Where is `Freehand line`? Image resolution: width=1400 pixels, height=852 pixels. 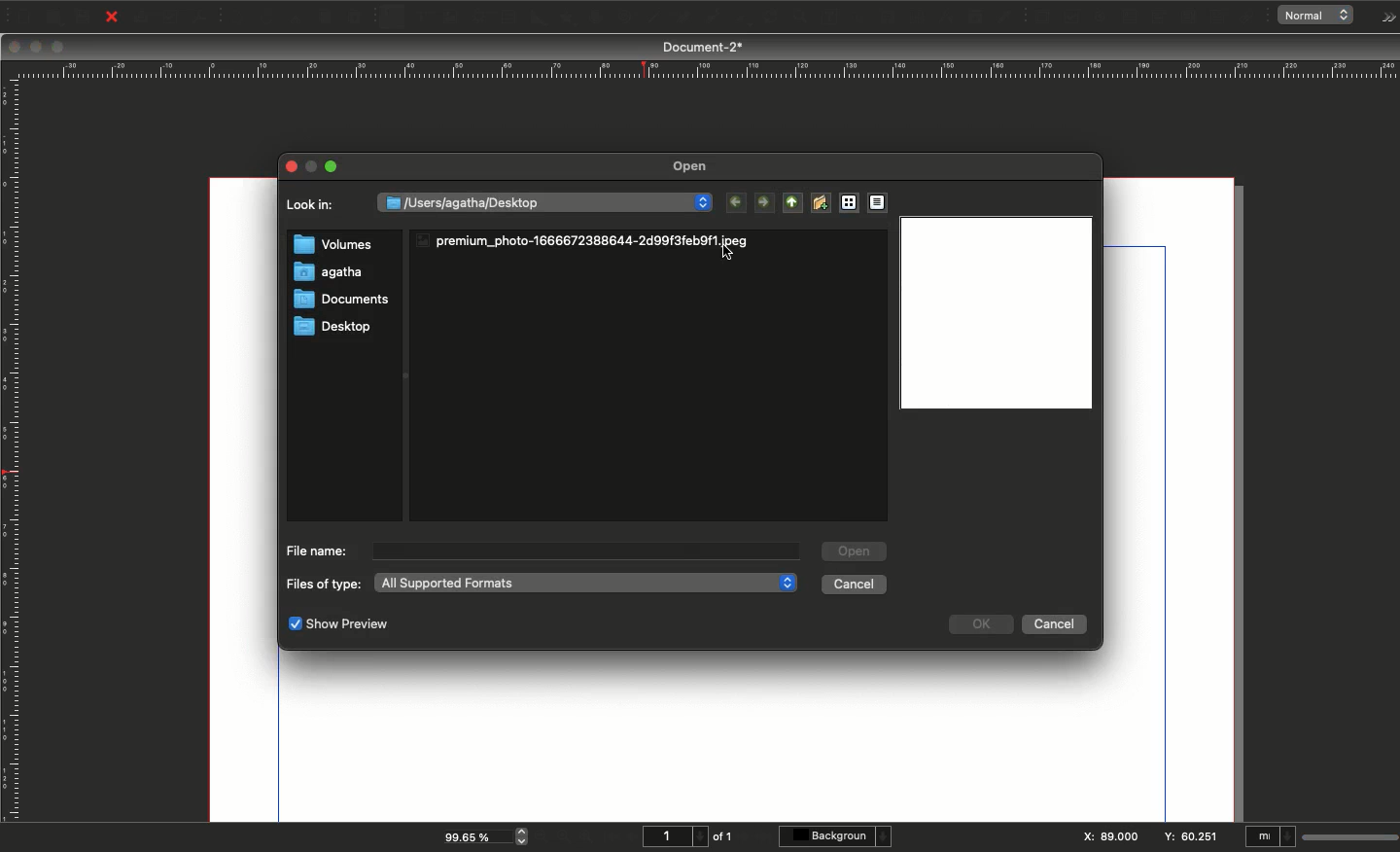
Freehand line is located at coordinates (708, 18).